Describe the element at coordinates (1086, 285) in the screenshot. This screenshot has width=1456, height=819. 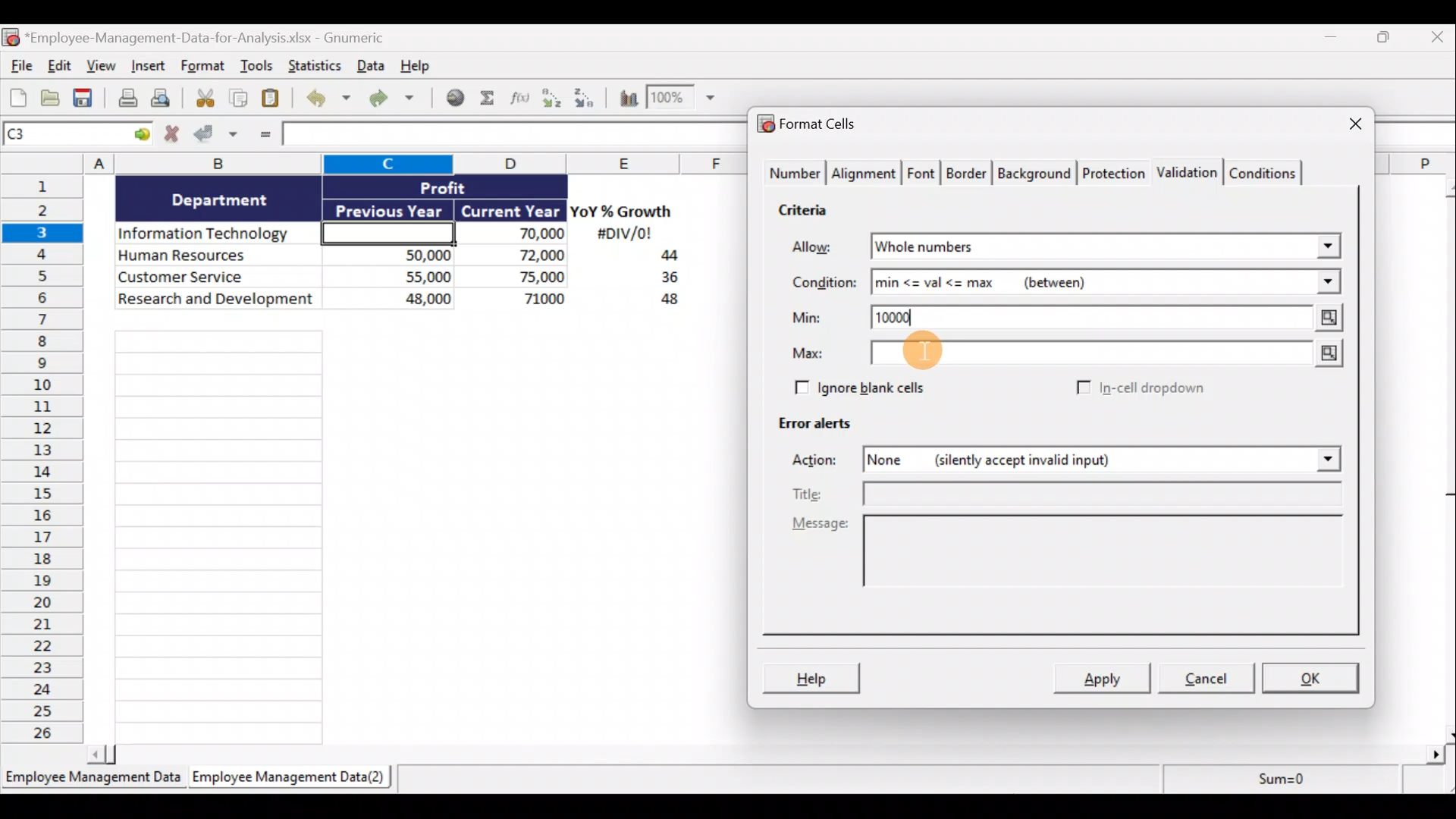
I see `min <= val <= max (between)` at that location.